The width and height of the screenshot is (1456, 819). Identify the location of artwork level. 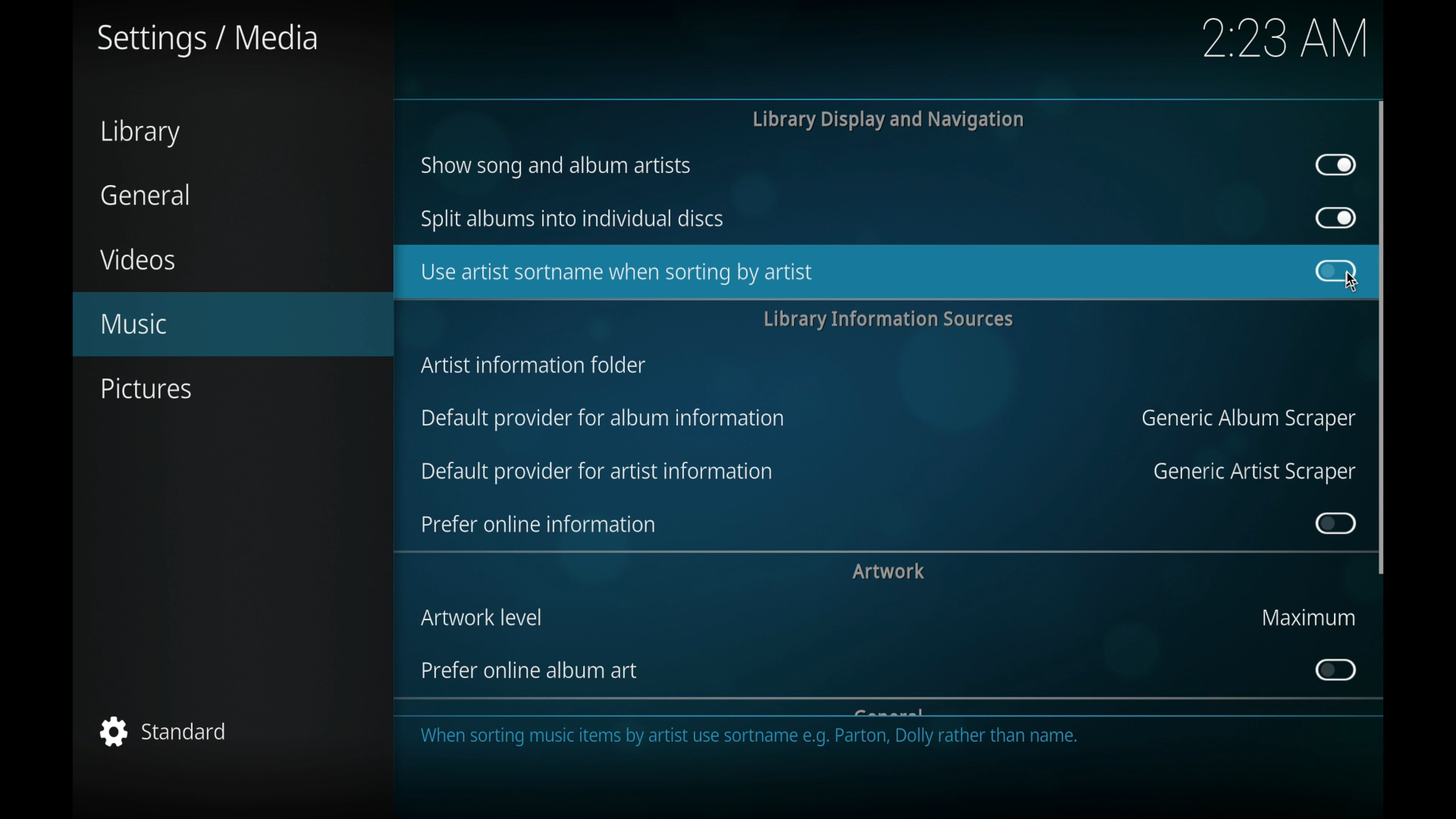
(482, 617).